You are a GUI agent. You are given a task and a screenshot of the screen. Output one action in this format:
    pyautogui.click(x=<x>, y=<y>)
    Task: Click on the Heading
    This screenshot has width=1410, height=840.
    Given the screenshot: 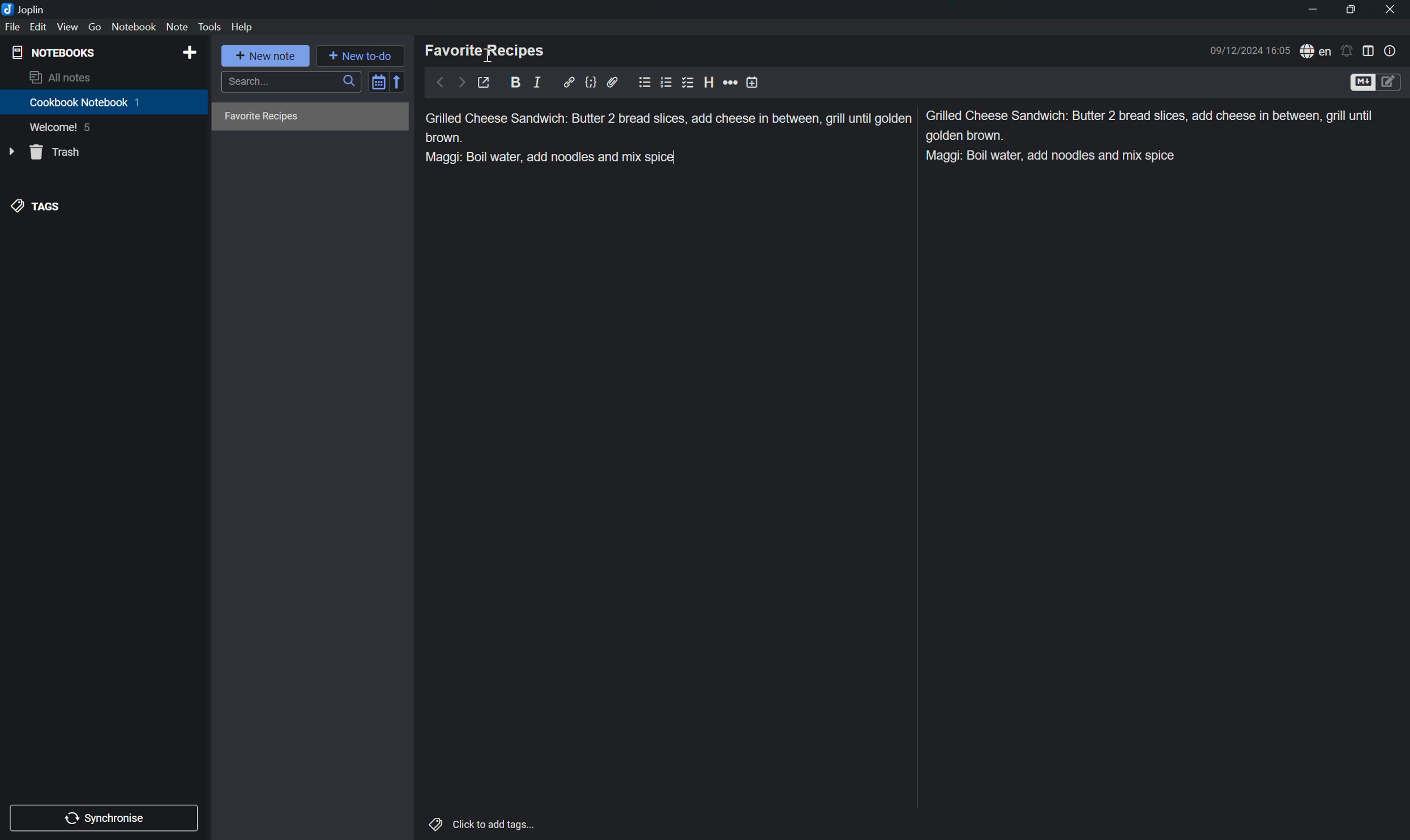 What is the action you would take?
    pyautogui.click(x=710, y=80)
    